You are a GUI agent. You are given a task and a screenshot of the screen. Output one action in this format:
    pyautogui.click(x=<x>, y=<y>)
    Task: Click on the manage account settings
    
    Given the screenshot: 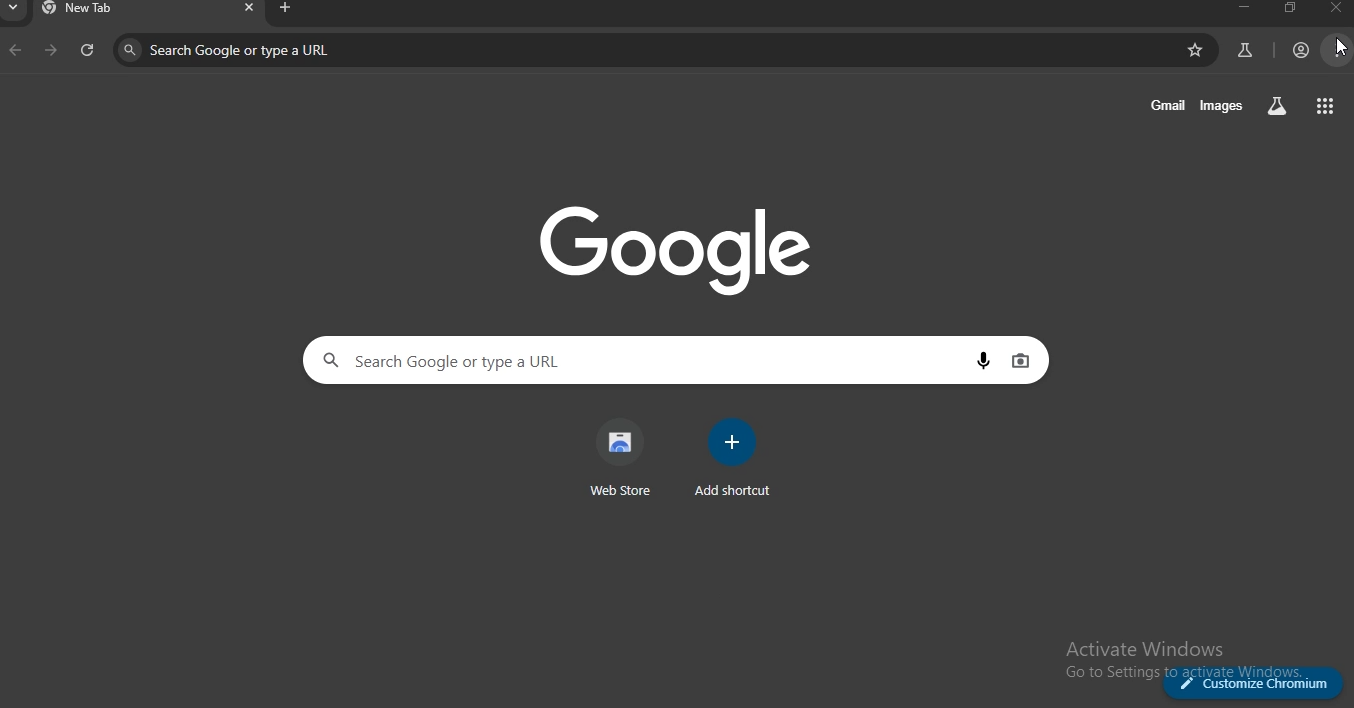 What is the action you would take?
    pyautogui.click(x=1338, y=51)
    